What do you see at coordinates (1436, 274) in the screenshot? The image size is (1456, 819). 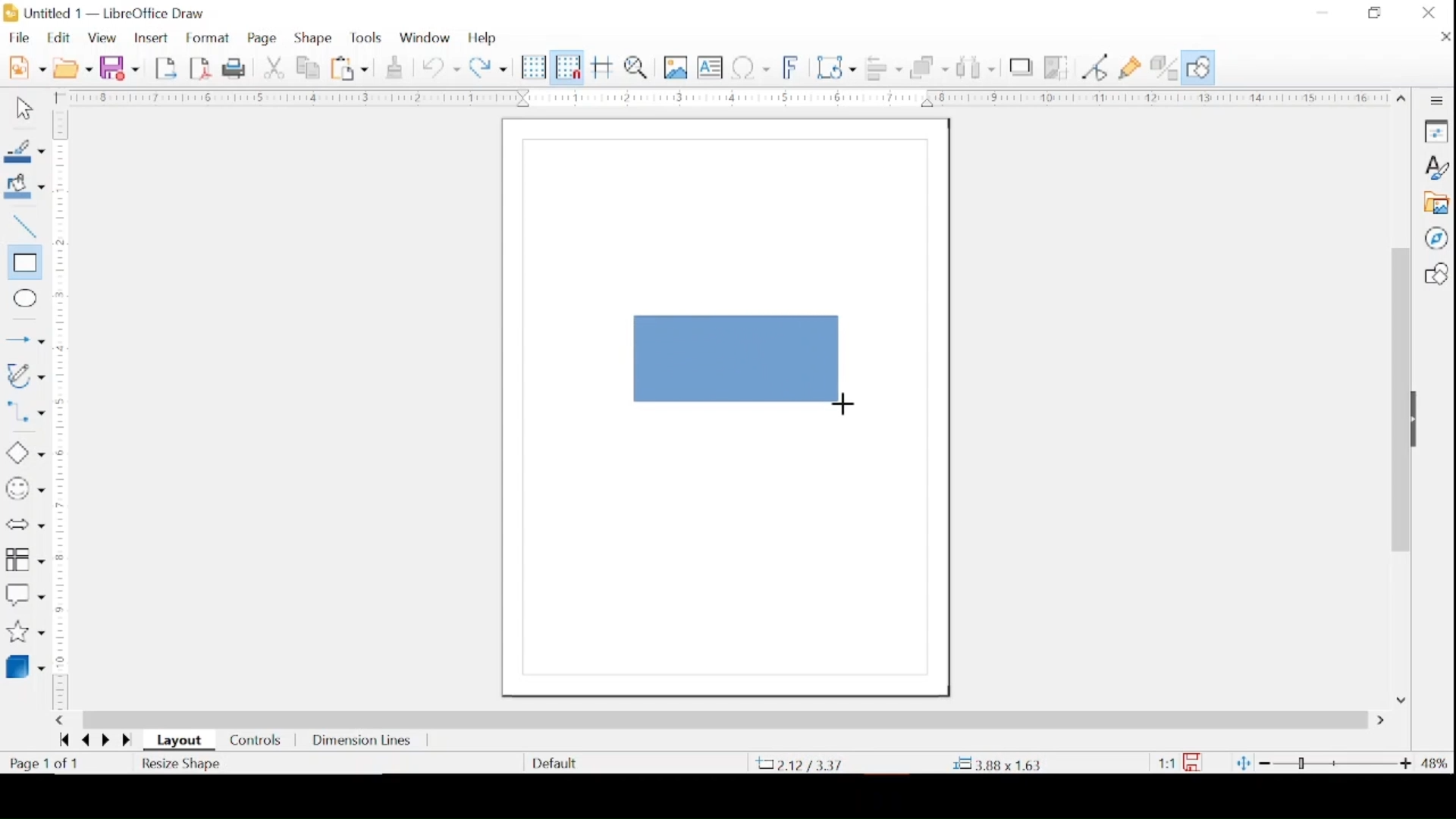 I see `shapes` at bounding box center [1436, 274].